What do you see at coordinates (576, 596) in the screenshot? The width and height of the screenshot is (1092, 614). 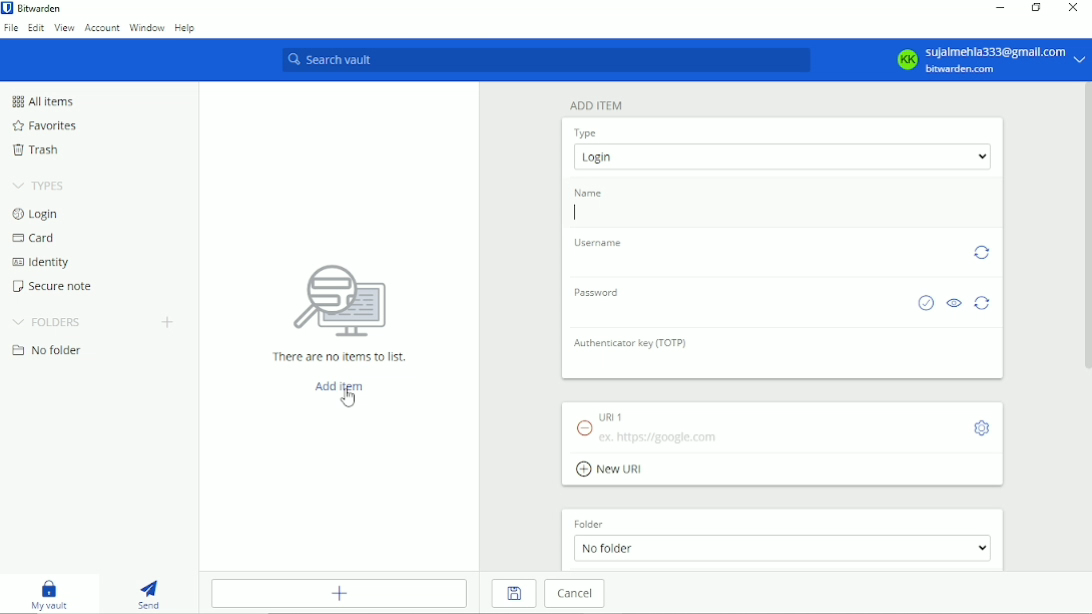 I see `Cancel` at bounding box center [576, 596].